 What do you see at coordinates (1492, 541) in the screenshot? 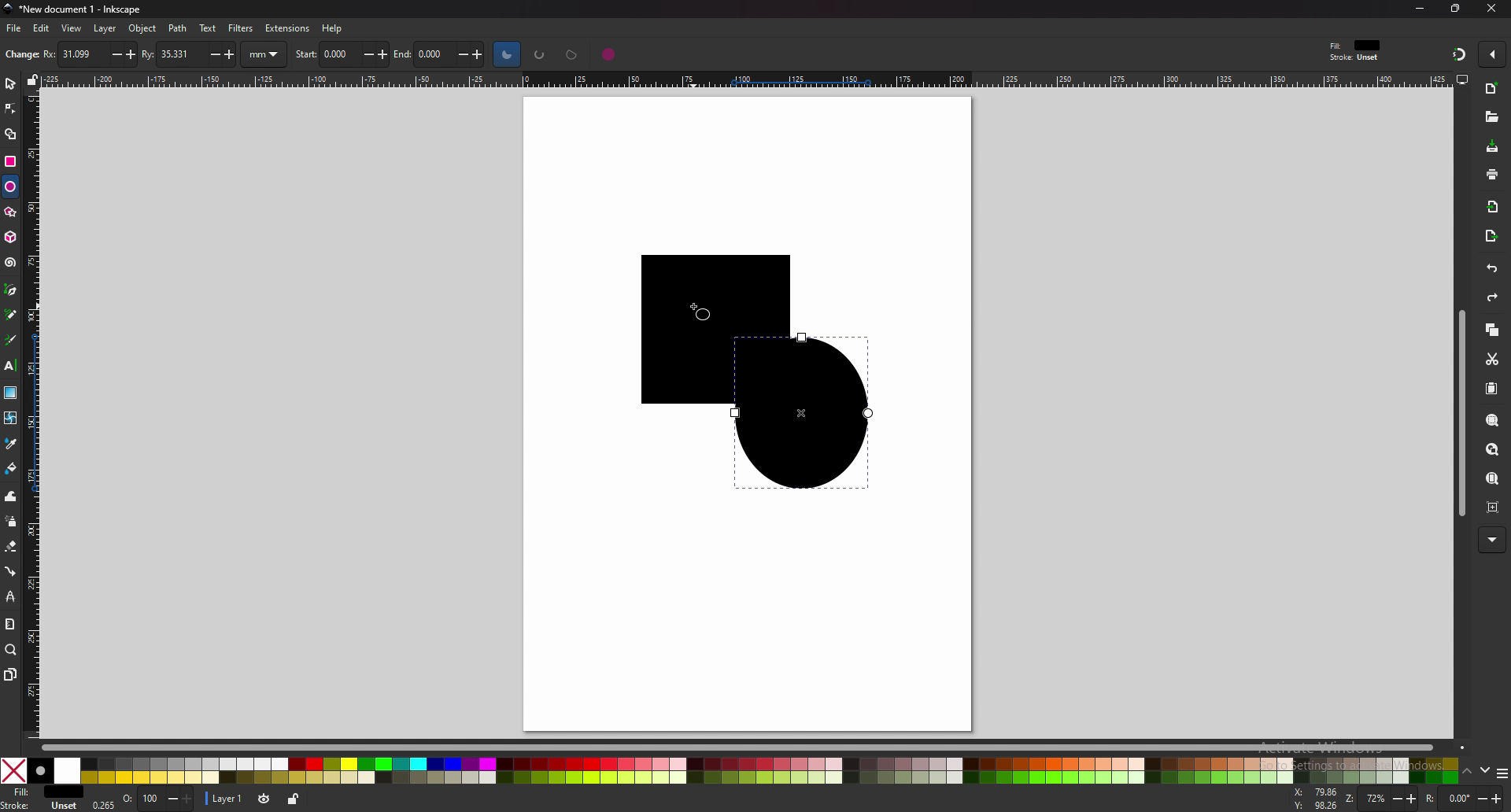
I see `more` at bounding box center [1492, 541].